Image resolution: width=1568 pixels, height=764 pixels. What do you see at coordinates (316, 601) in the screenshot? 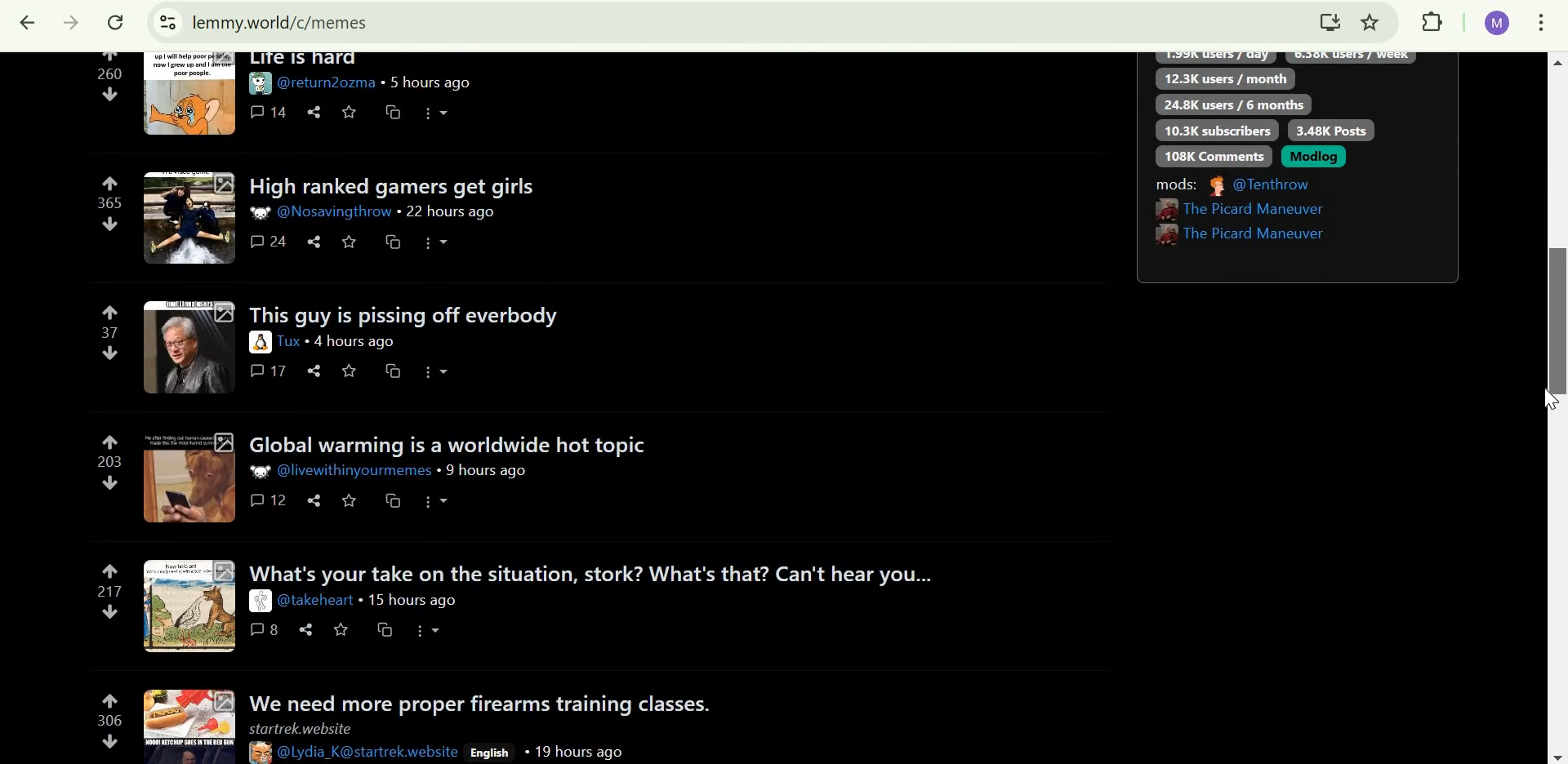
I see `user id` at bounding box center [316, 601].